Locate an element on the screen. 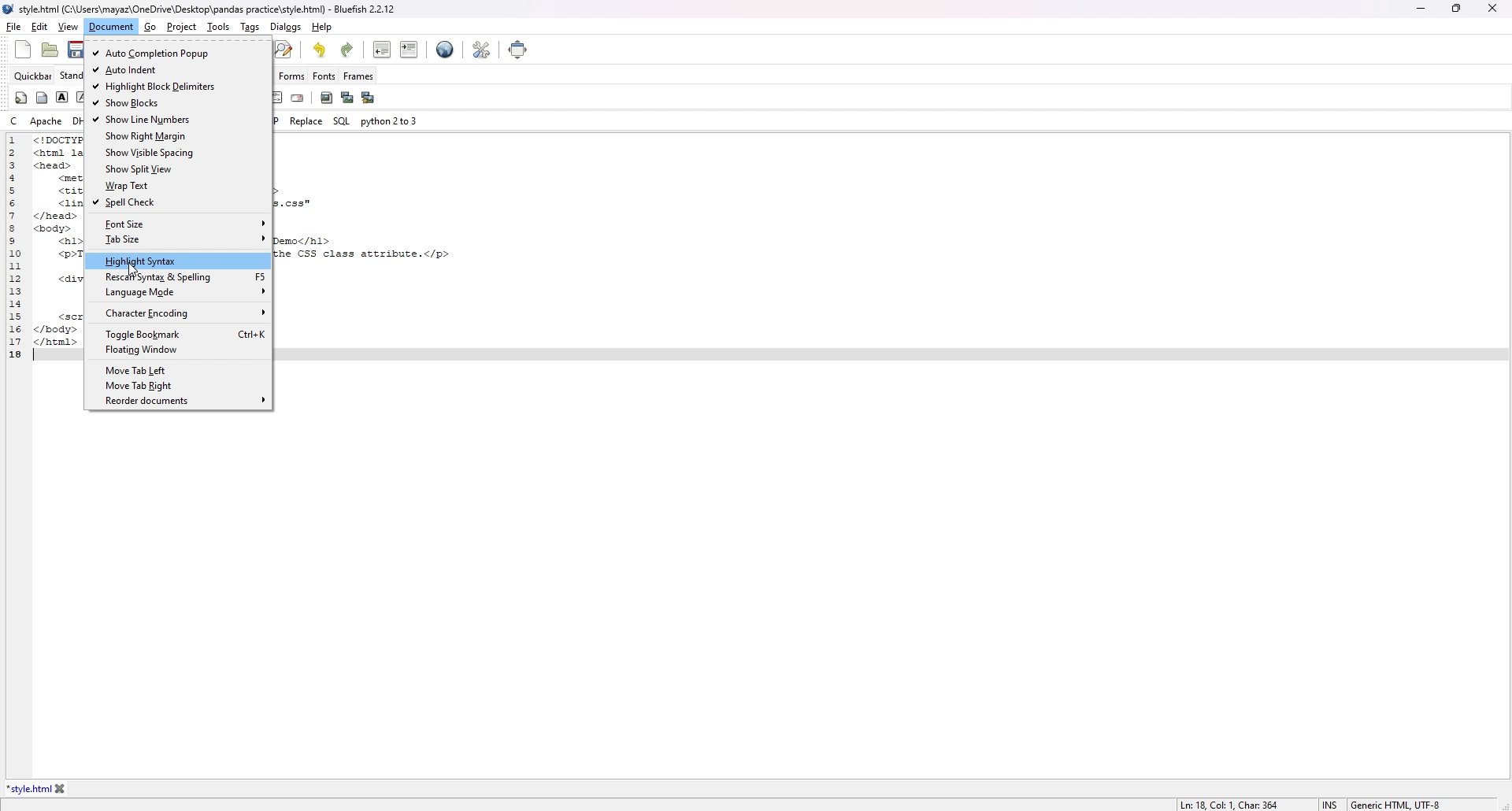 This screenshot has height=811, width=1512. cursor type is located at coordinates (1330, 802).